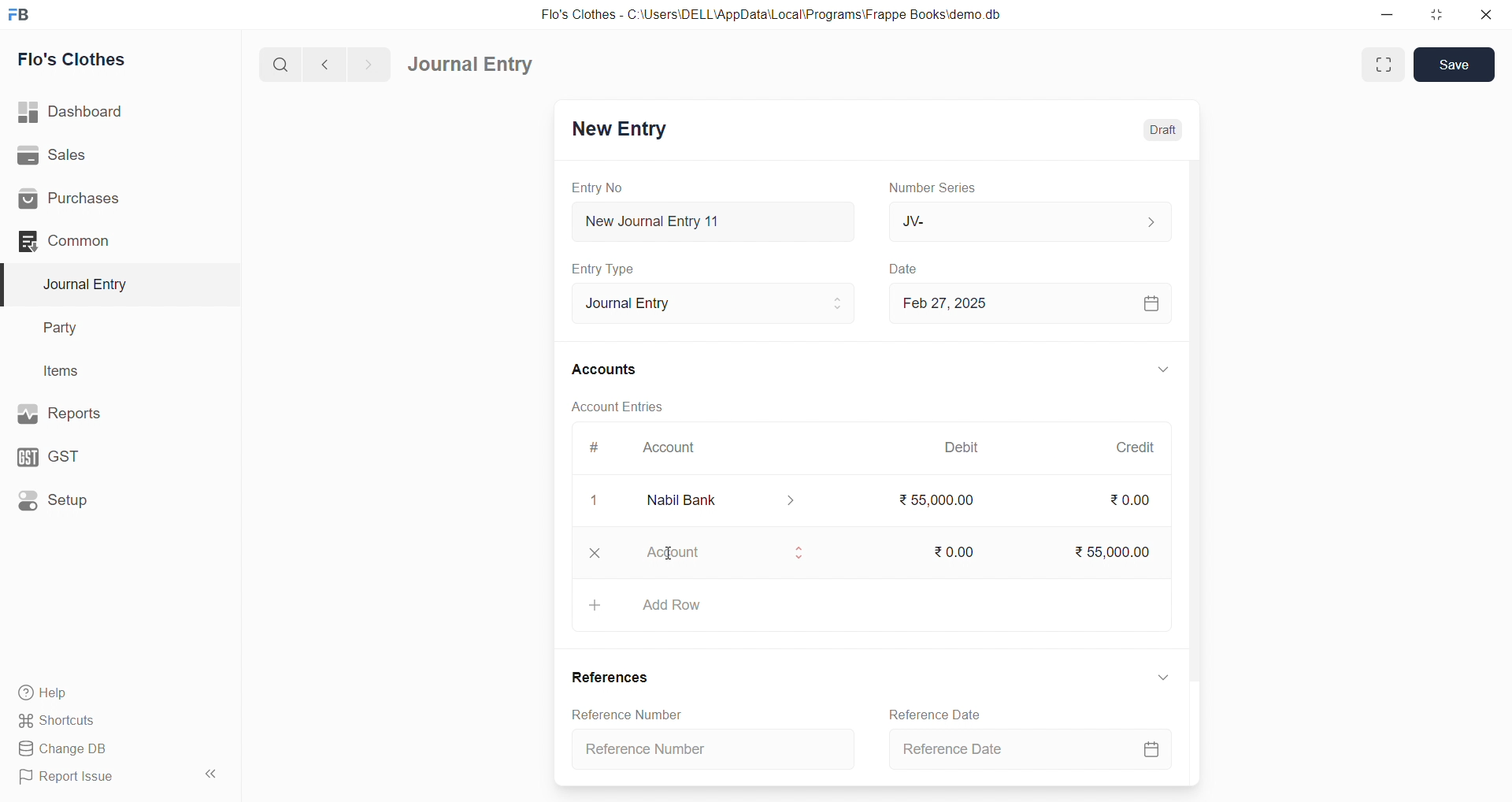 The width and height of the screenshot is (1512, 802). I want to click on References, so click(611, 675).